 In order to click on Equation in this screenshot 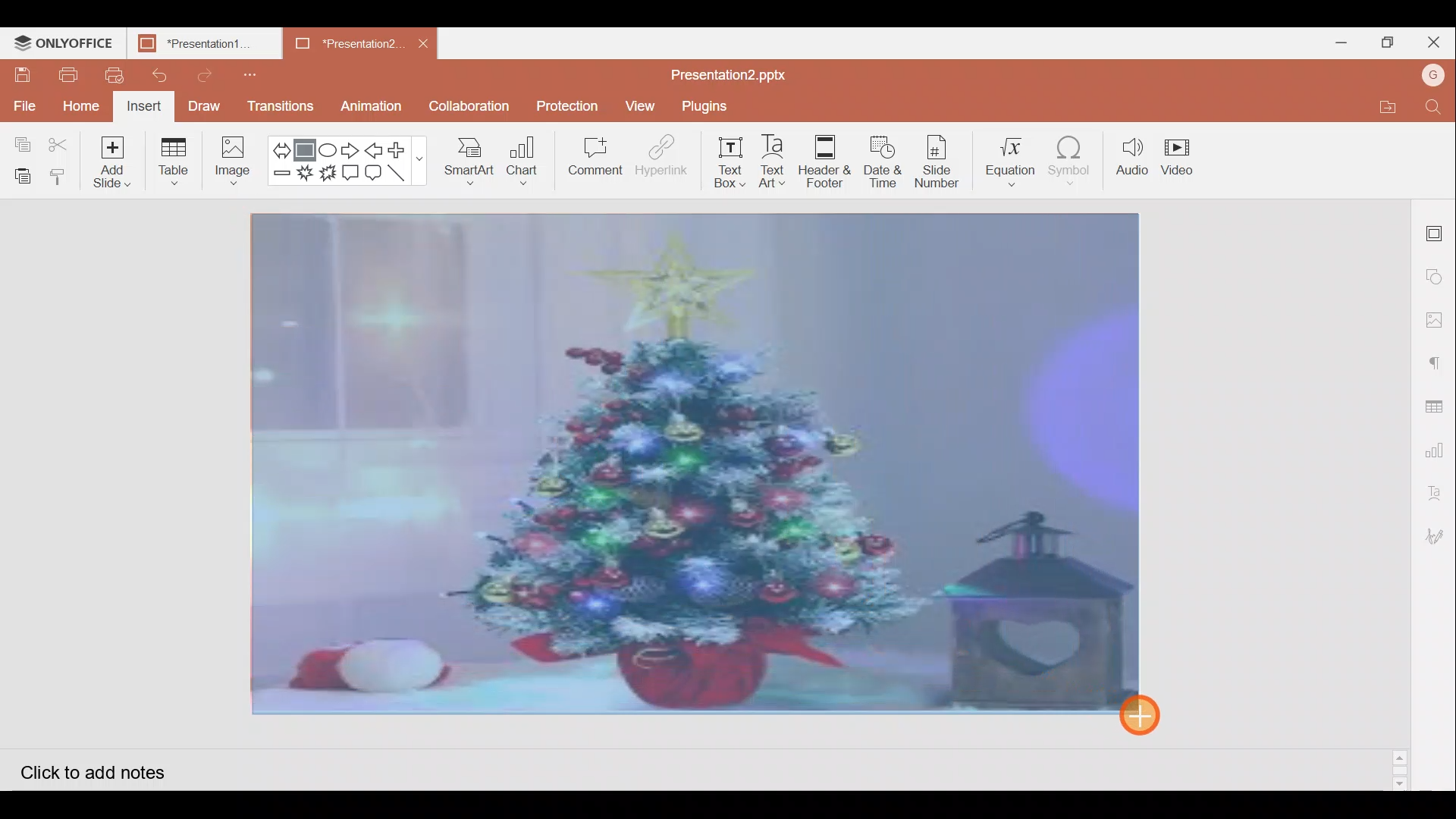, I will do `click(1010, 158)`.